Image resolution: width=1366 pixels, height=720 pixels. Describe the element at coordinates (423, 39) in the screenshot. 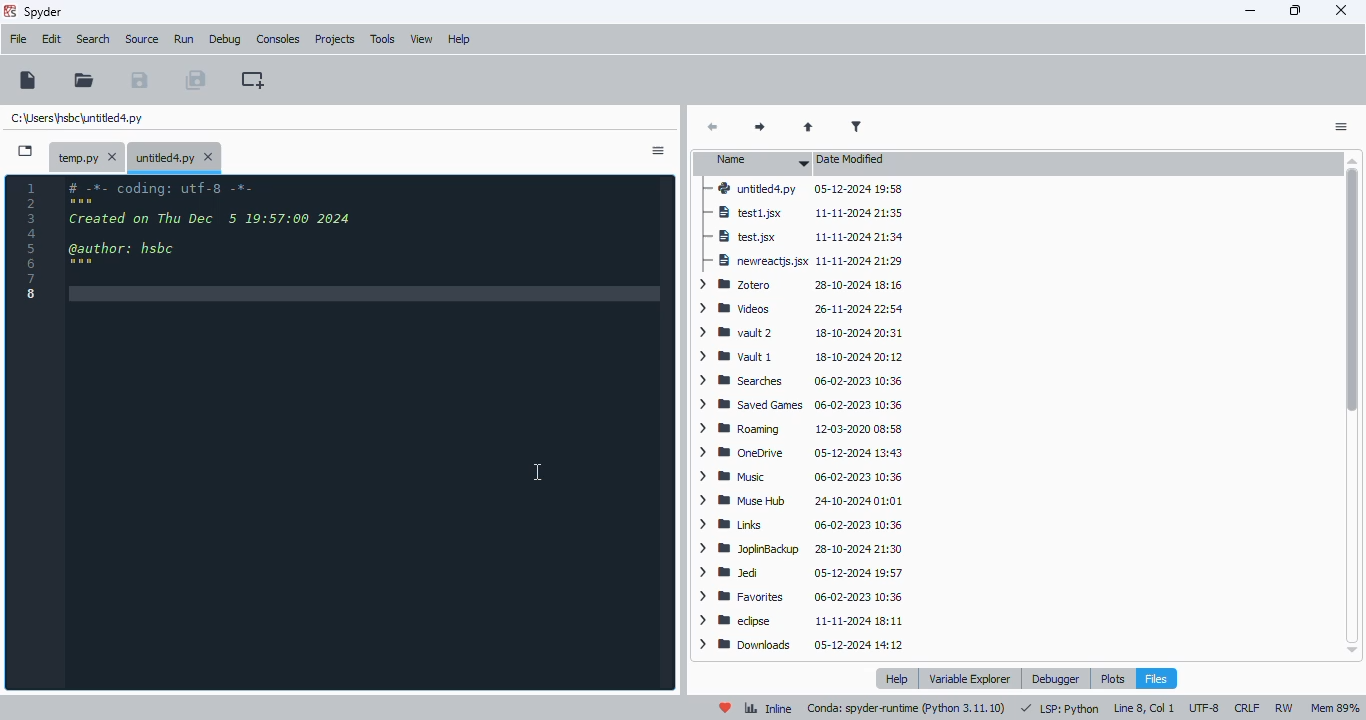

I see `view` at that location.